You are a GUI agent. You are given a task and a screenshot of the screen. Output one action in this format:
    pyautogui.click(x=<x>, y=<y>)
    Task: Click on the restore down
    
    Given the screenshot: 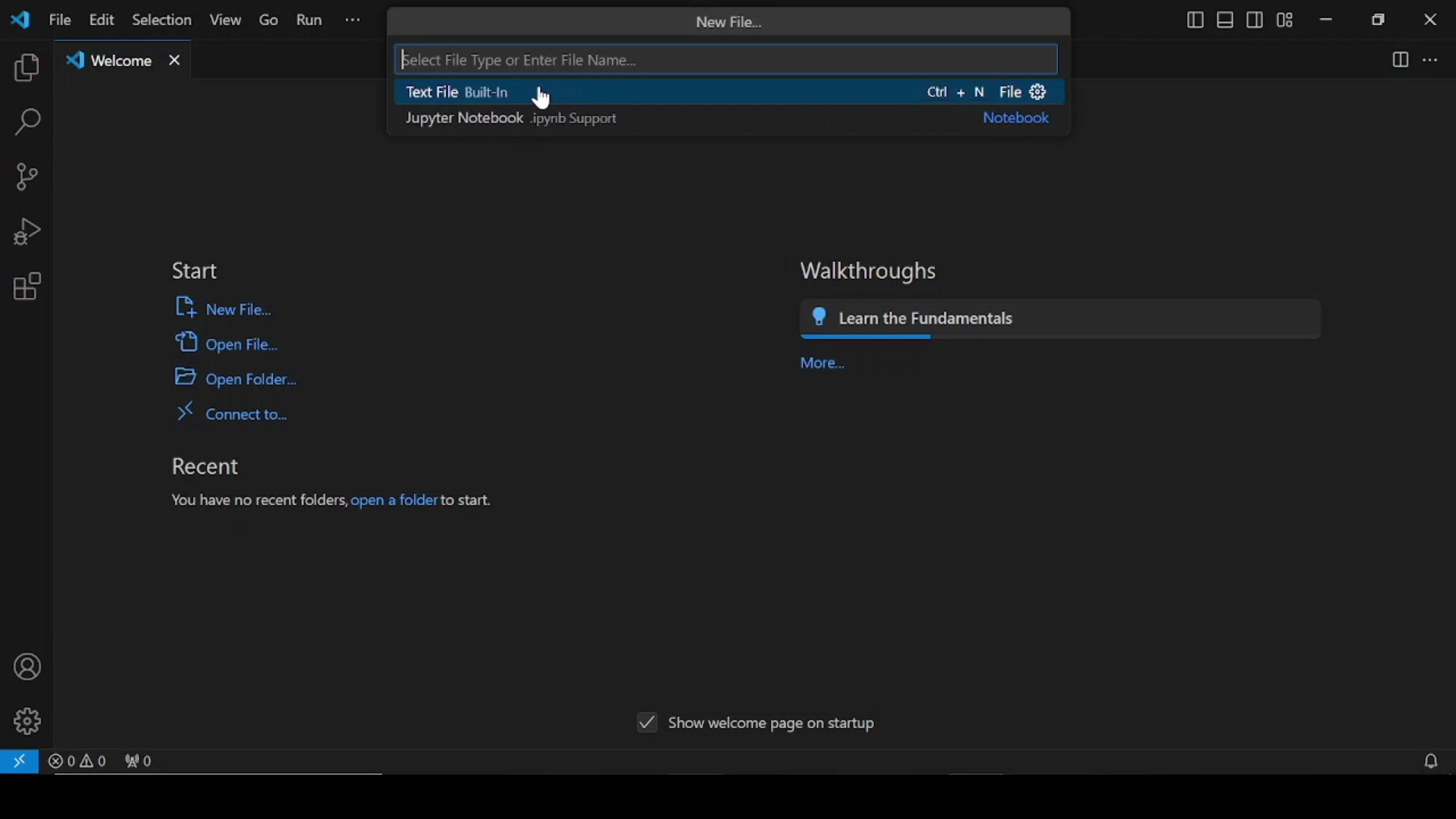 What is the action you would take?
    pyautogui.click(x=1378, y=19)
    